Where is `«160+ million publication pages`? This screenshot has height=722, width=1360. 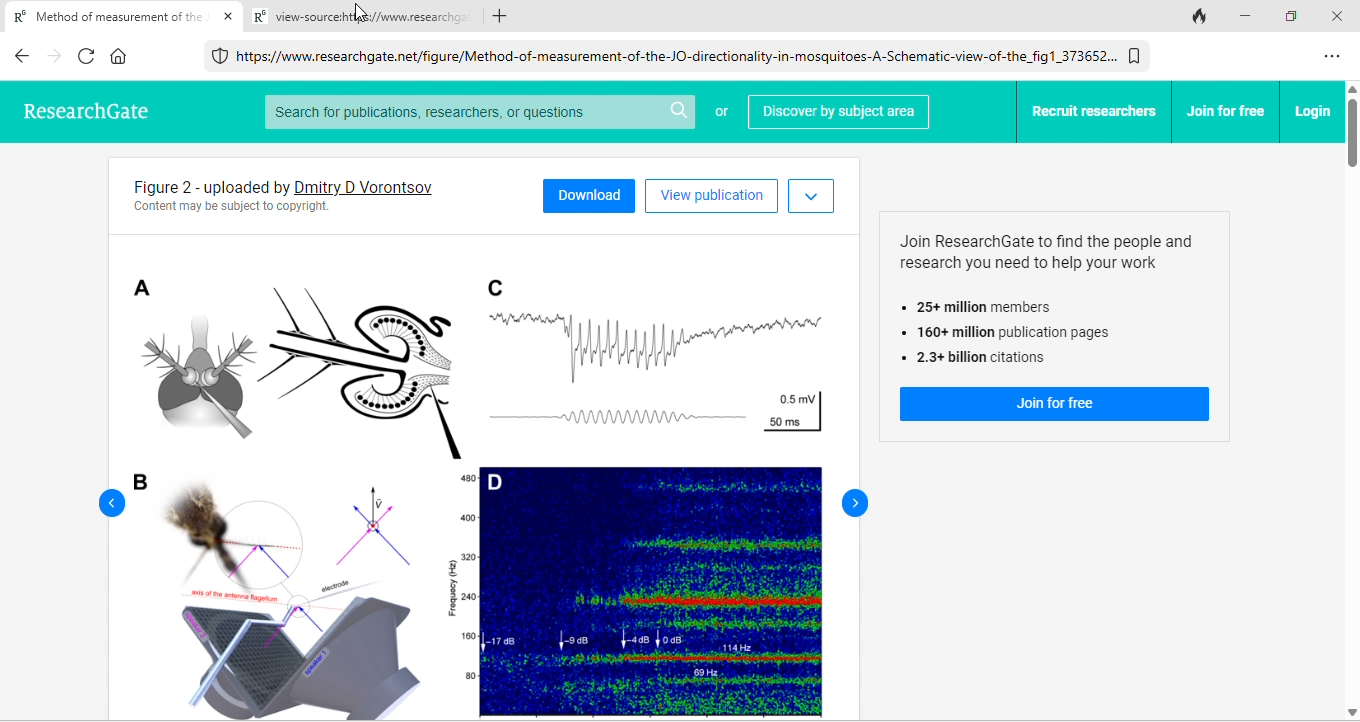
«160+ million publication pages is located at coordinates (1004, 334).